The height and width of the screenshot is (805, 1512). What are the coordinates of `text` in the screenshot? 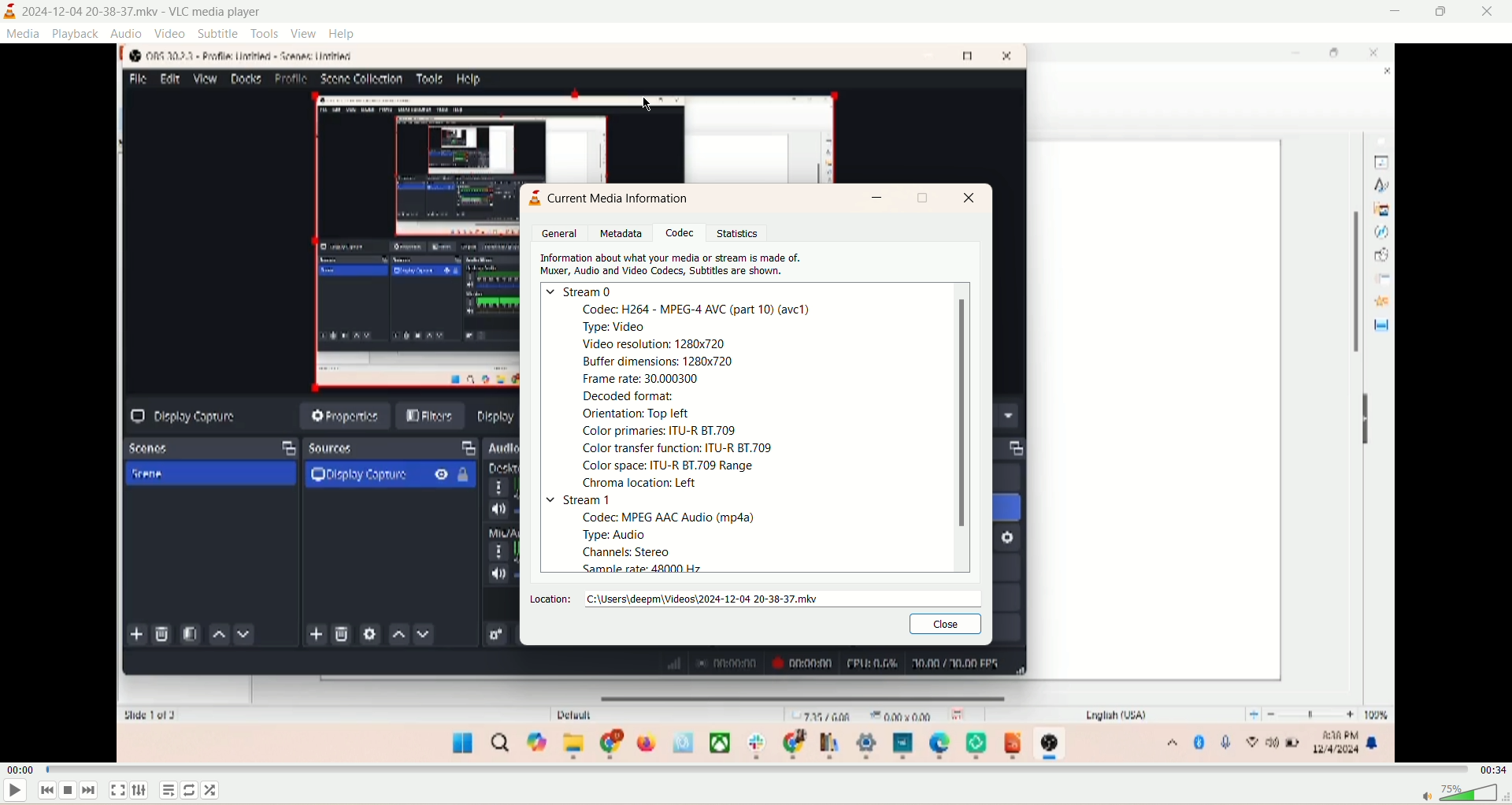 It's located at (623, 197).